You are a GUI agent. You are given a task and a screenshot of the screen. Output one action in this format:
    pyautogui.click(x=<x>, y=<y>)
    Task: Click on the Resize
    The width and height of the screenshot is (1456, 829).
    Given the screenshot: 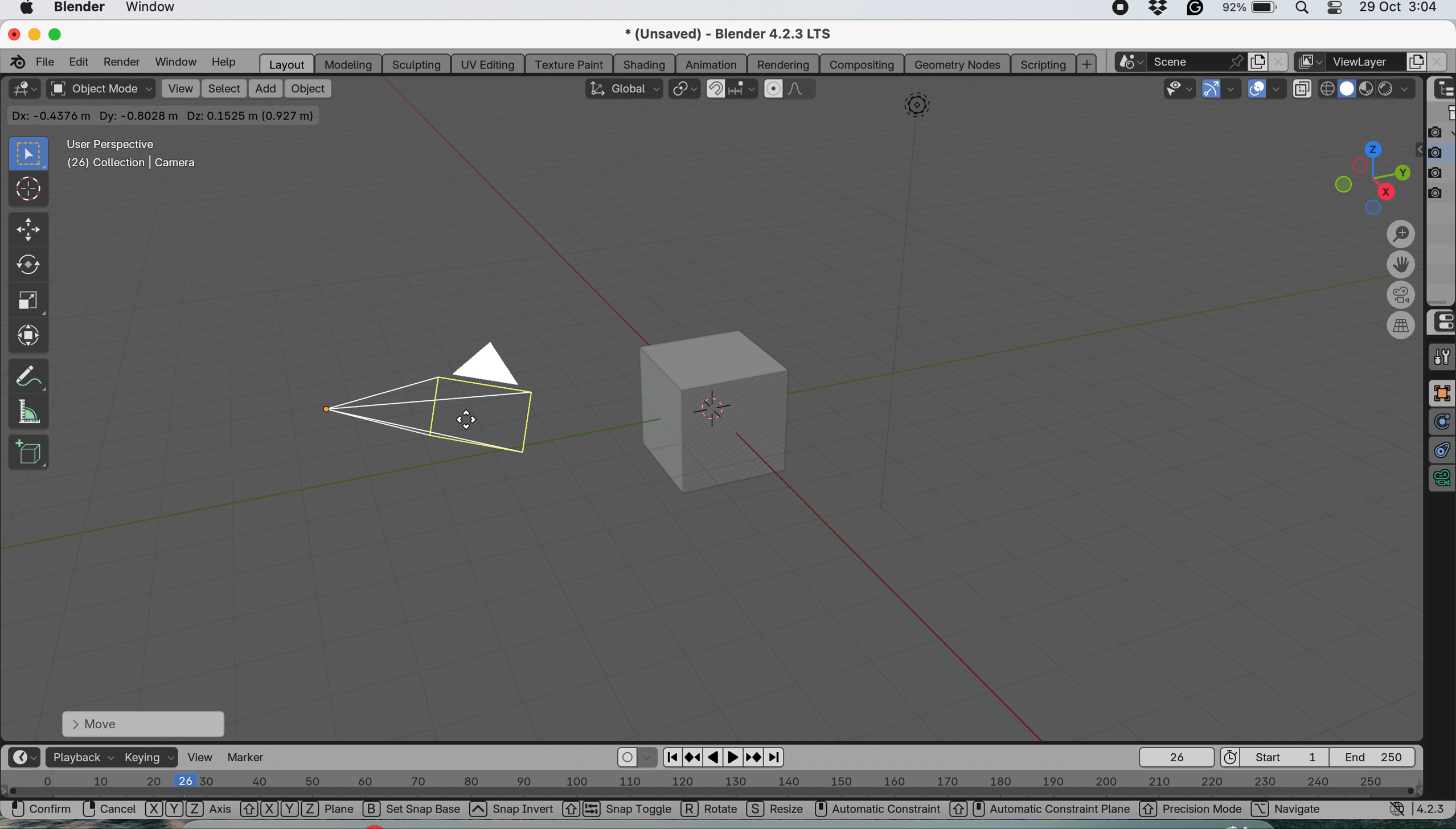 What is the action you would take?
    pyautogui.click(x=777, y=811)
    